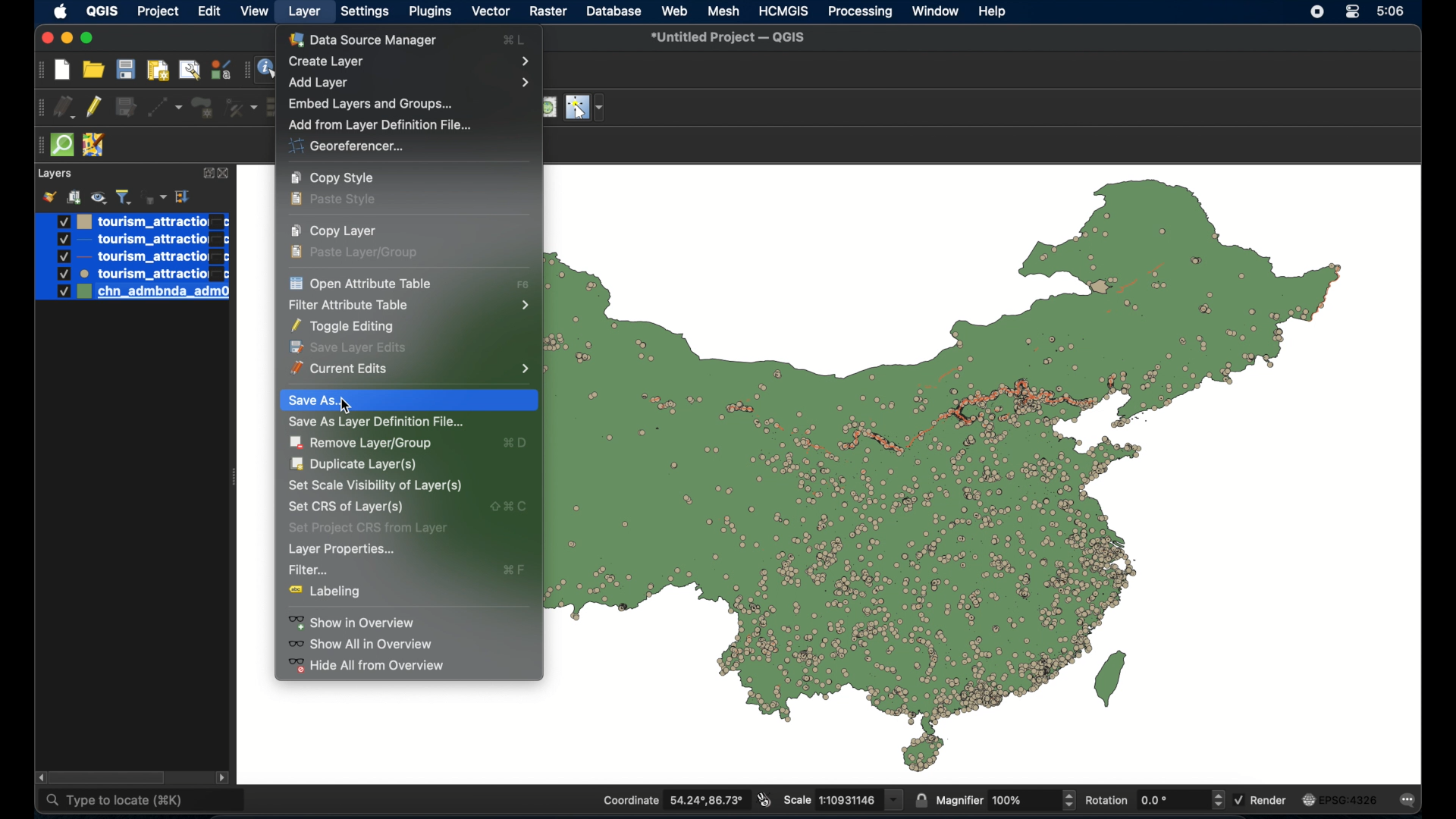 This screenshot has height=819, width=1456. What do you see at coordinates (205, 108) in the screenshot?
I see `add polygon feature` at bounding box center [205, 108].